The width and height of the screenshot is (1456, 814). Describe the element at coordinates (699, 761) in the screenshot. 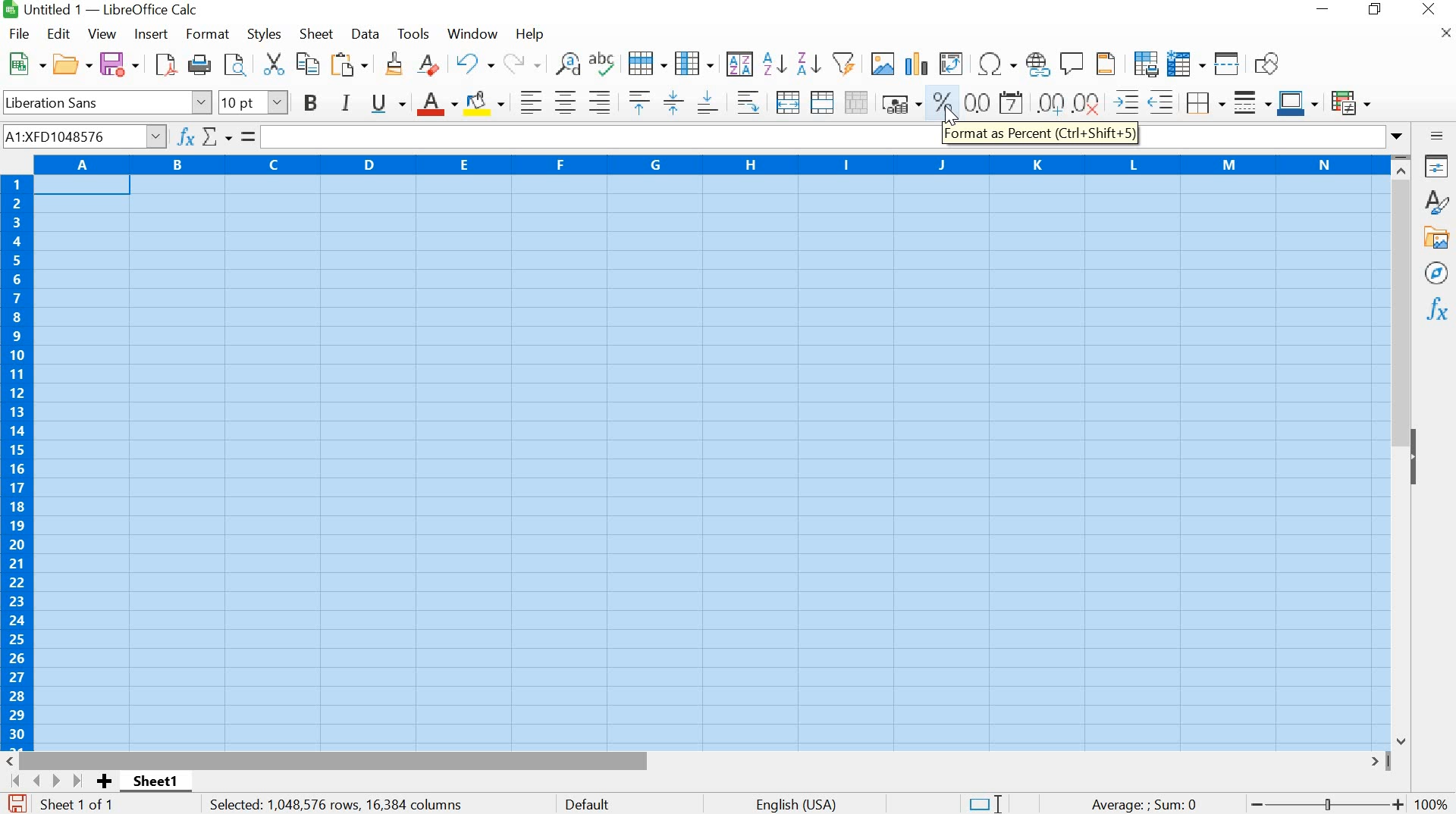

I see `SCROLLBAR` at that location.